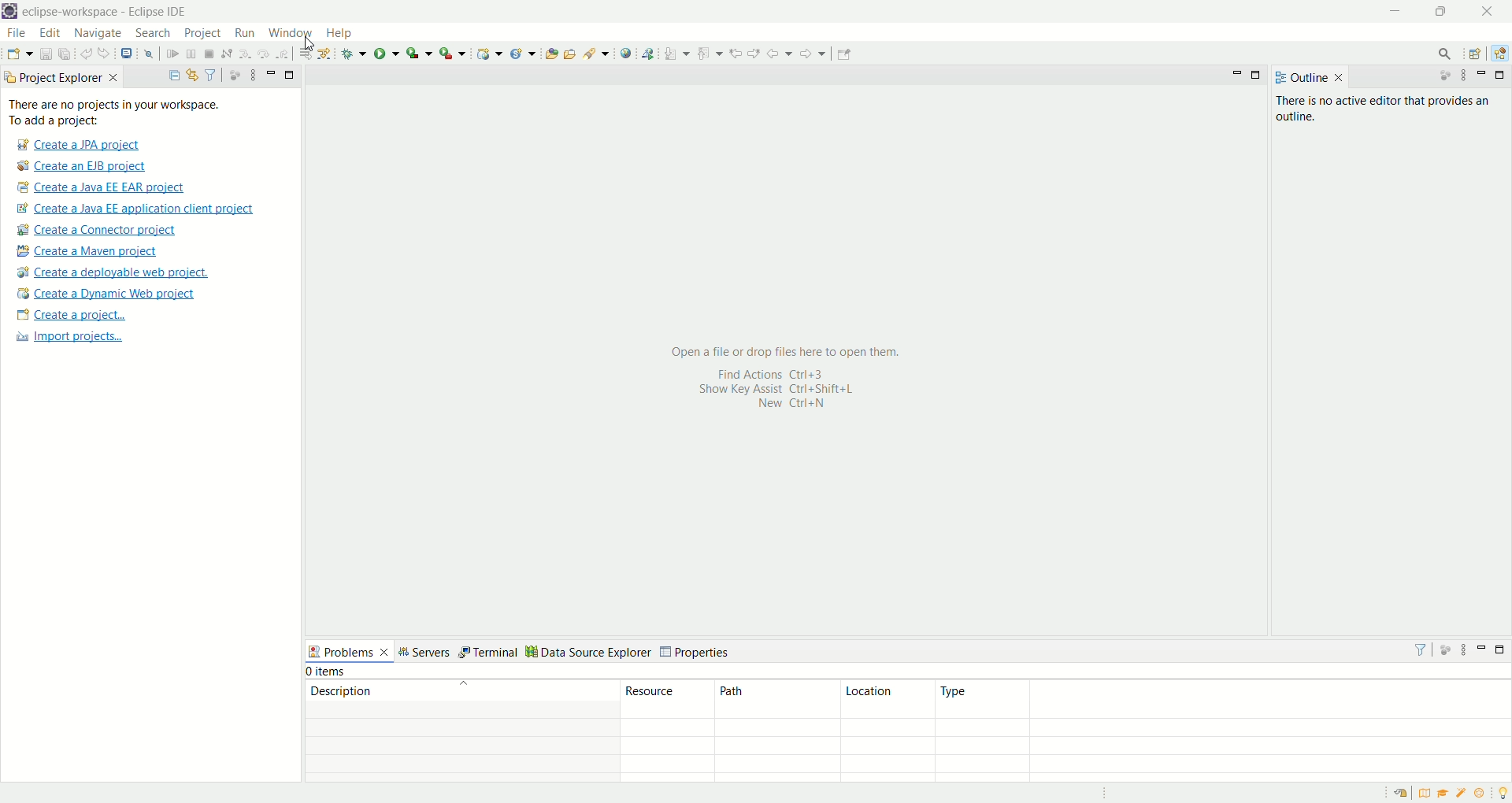 The height and width of the screenshot is (803, 1512). I want to click on search, so click(154, 33).